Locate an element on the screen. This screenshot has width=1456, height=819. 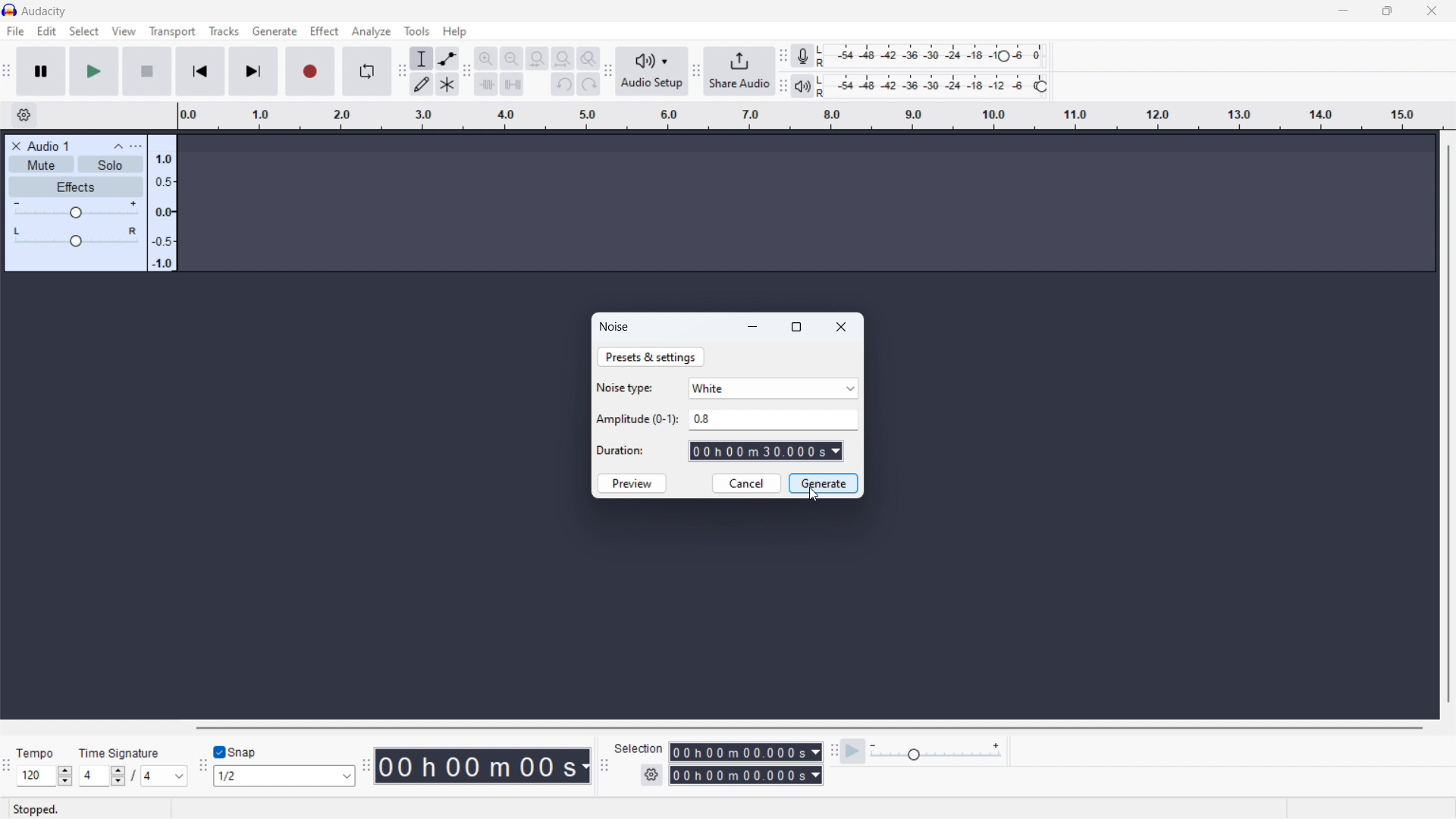
draw tool is located at coordinates (422, 84).